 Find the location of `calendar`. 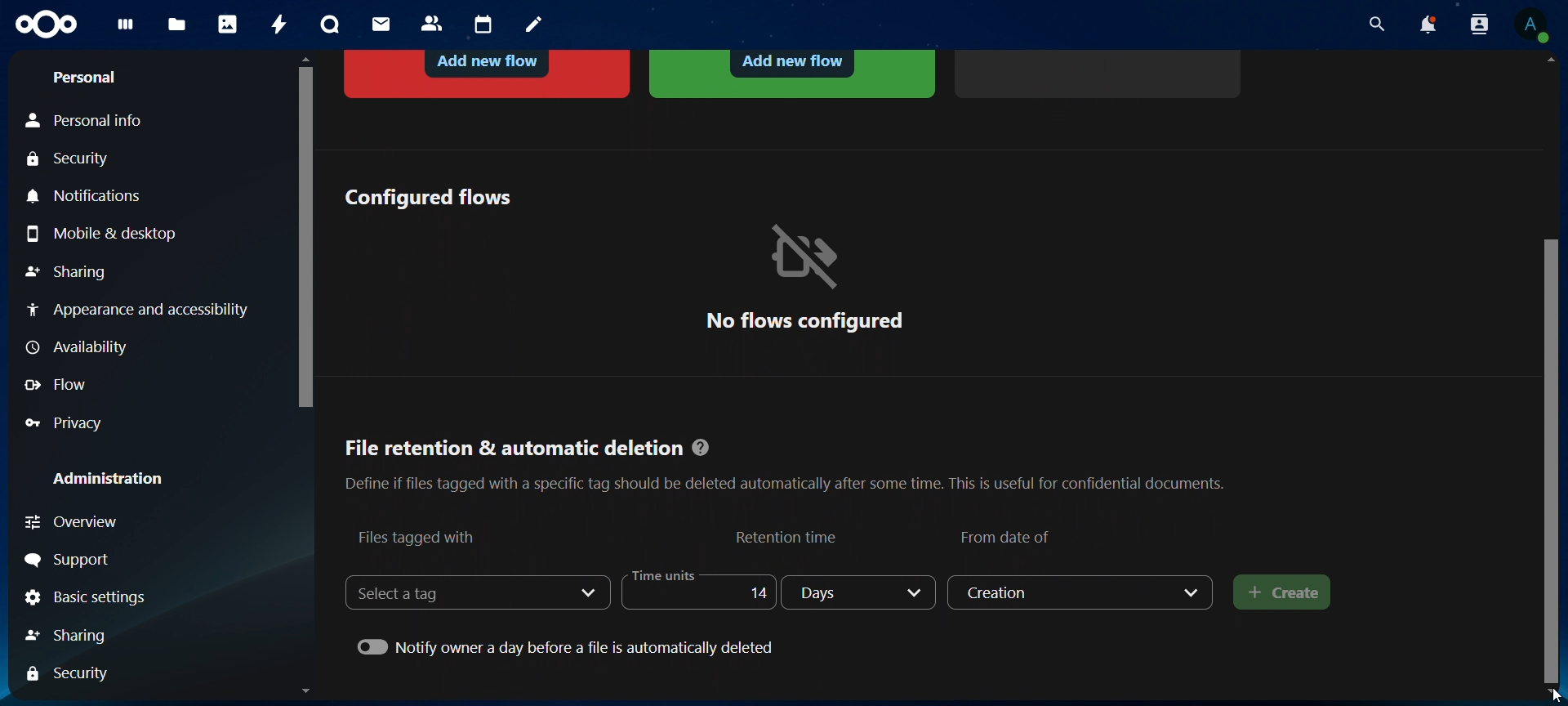

calendar is located at coordinates (484, 25).